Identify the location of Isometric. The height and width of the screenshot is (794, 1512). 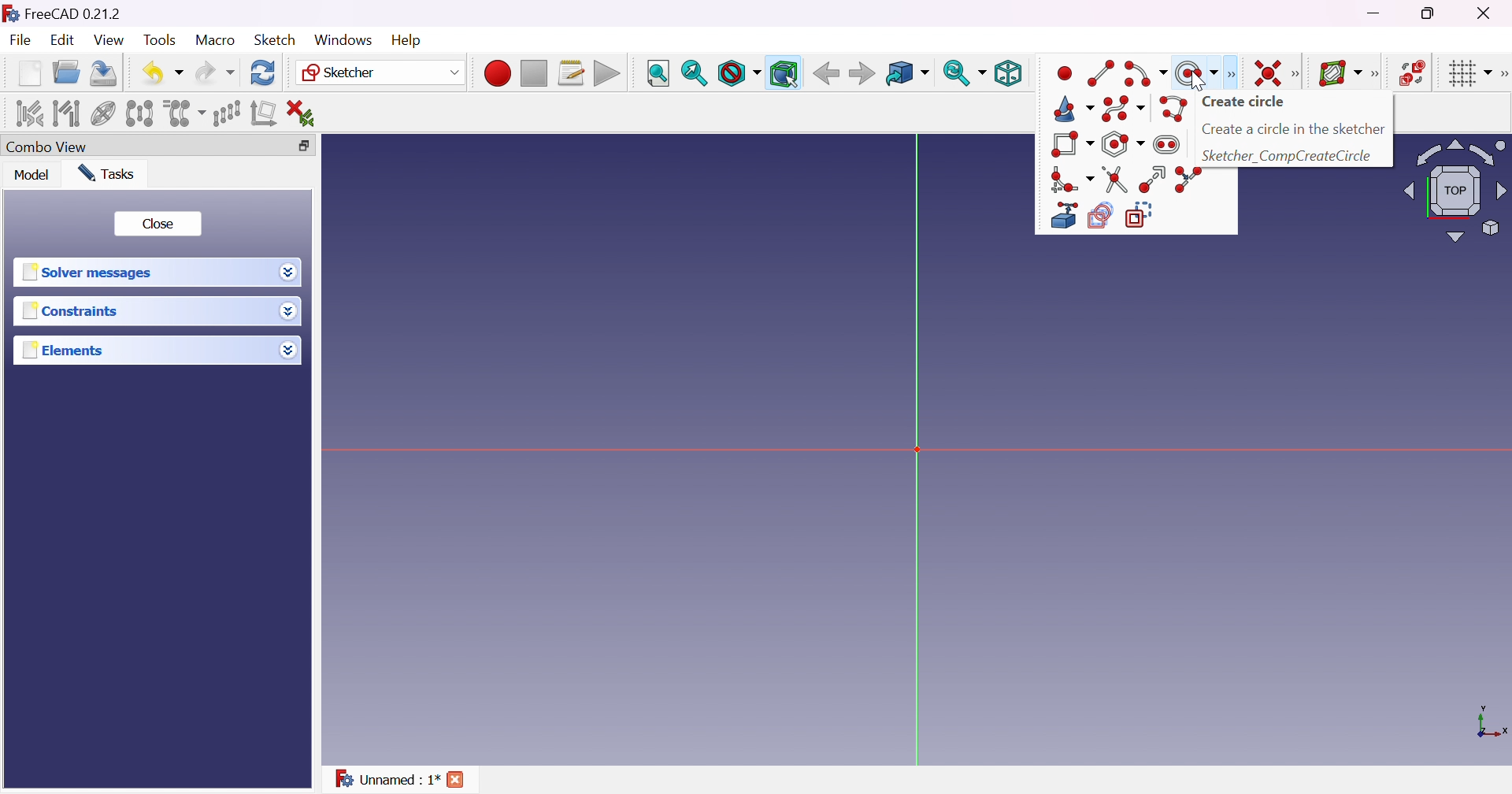
(1008, 74).